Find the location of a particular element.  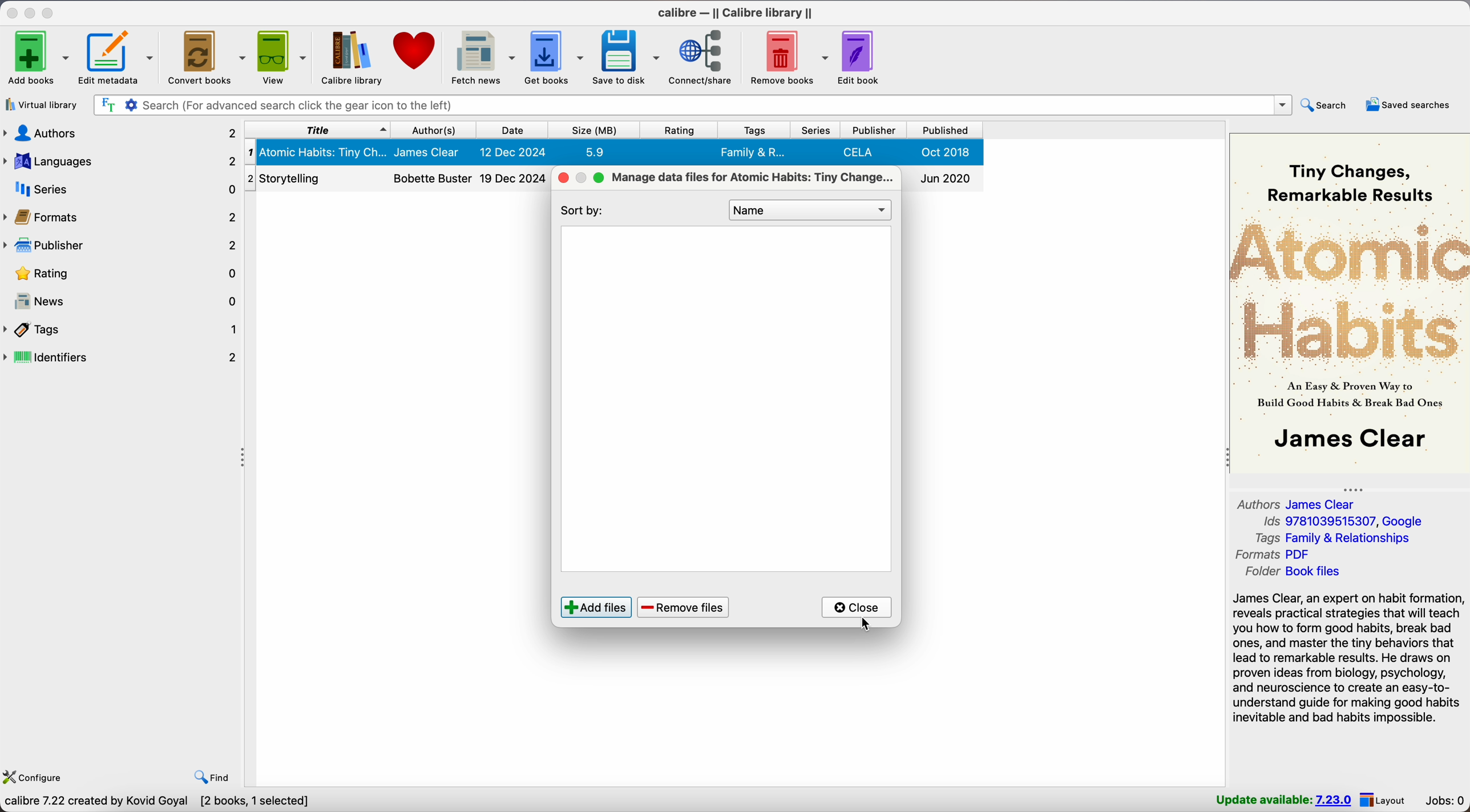

sort by: is located at coordinates (584, 211).